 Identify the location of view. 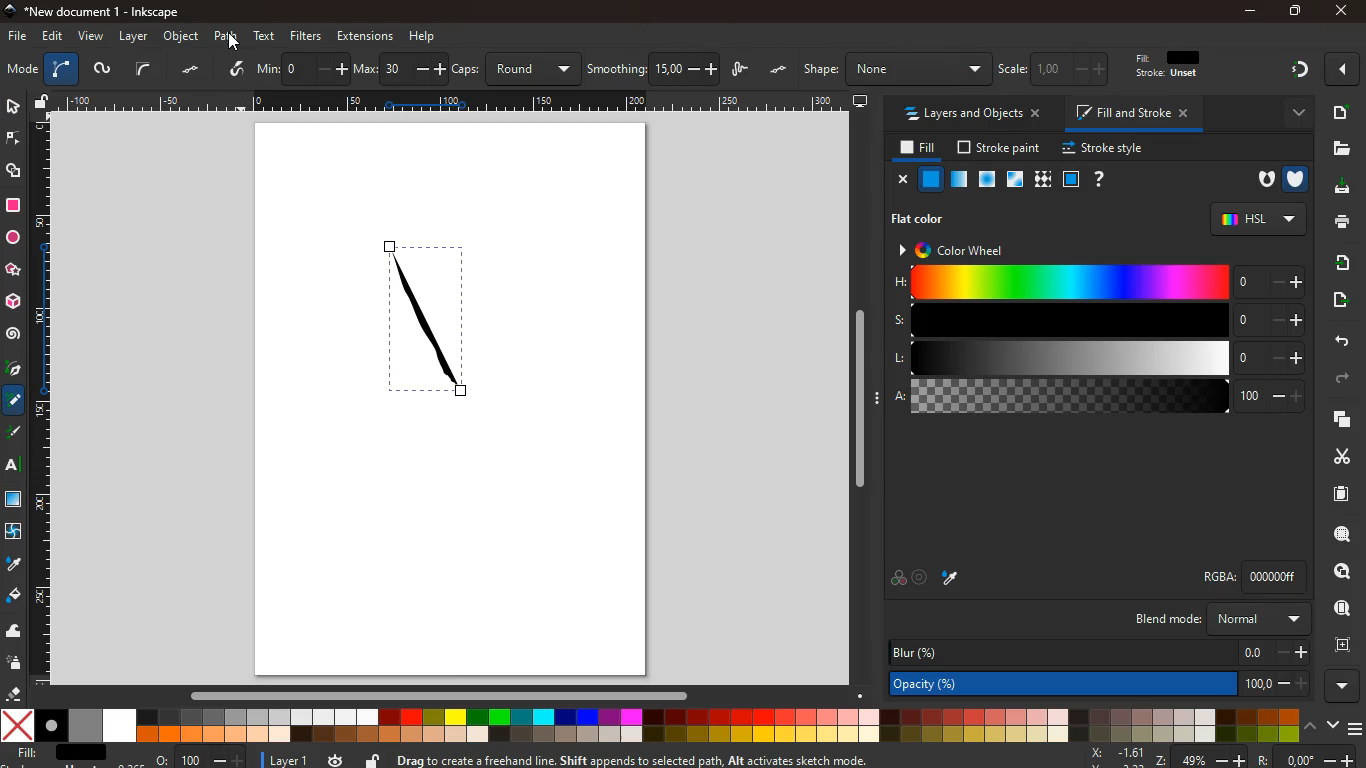
(92, 37).